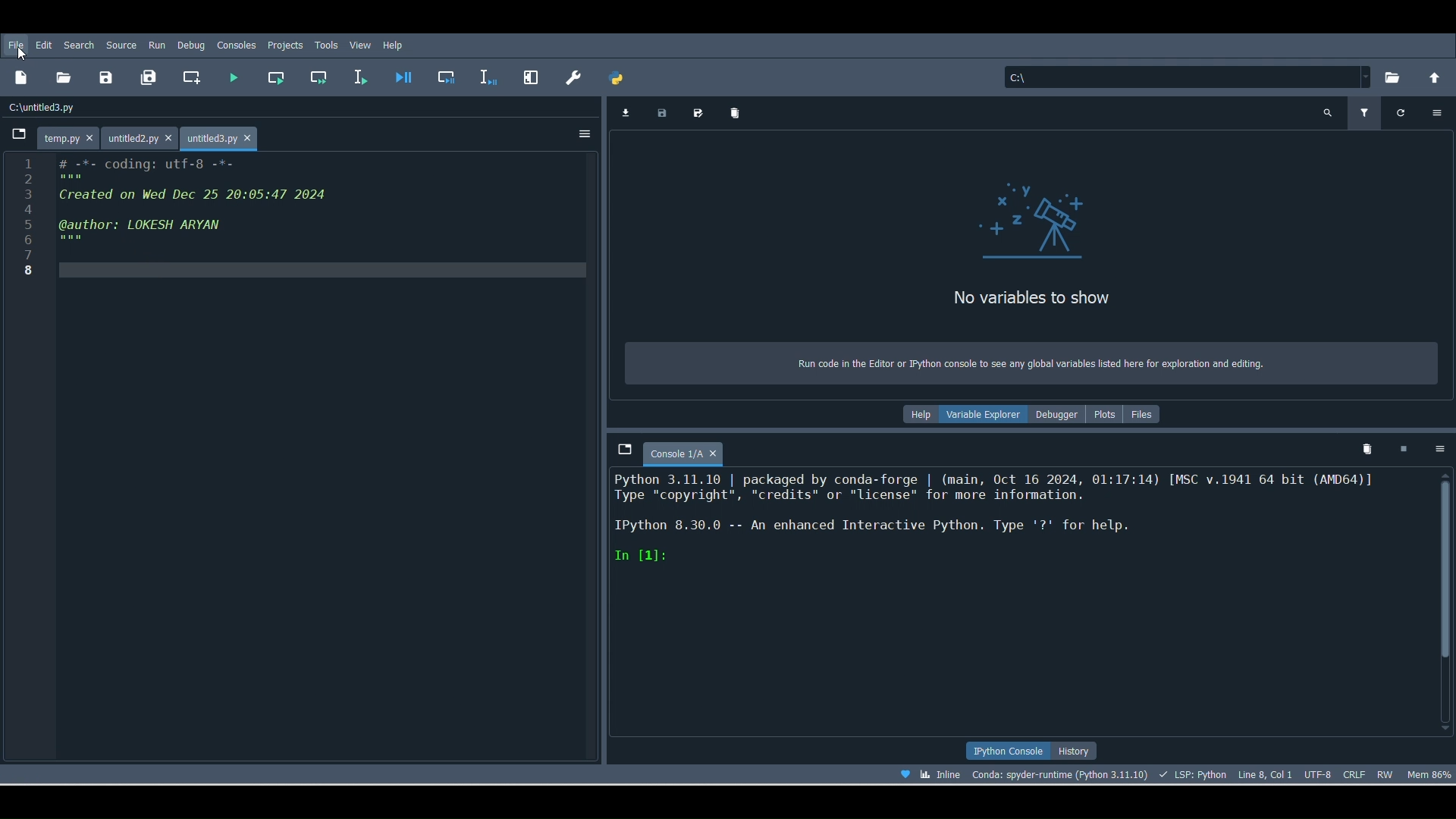 The image size is (1456, 819). I want to click on Plots, so click(1107, 419).